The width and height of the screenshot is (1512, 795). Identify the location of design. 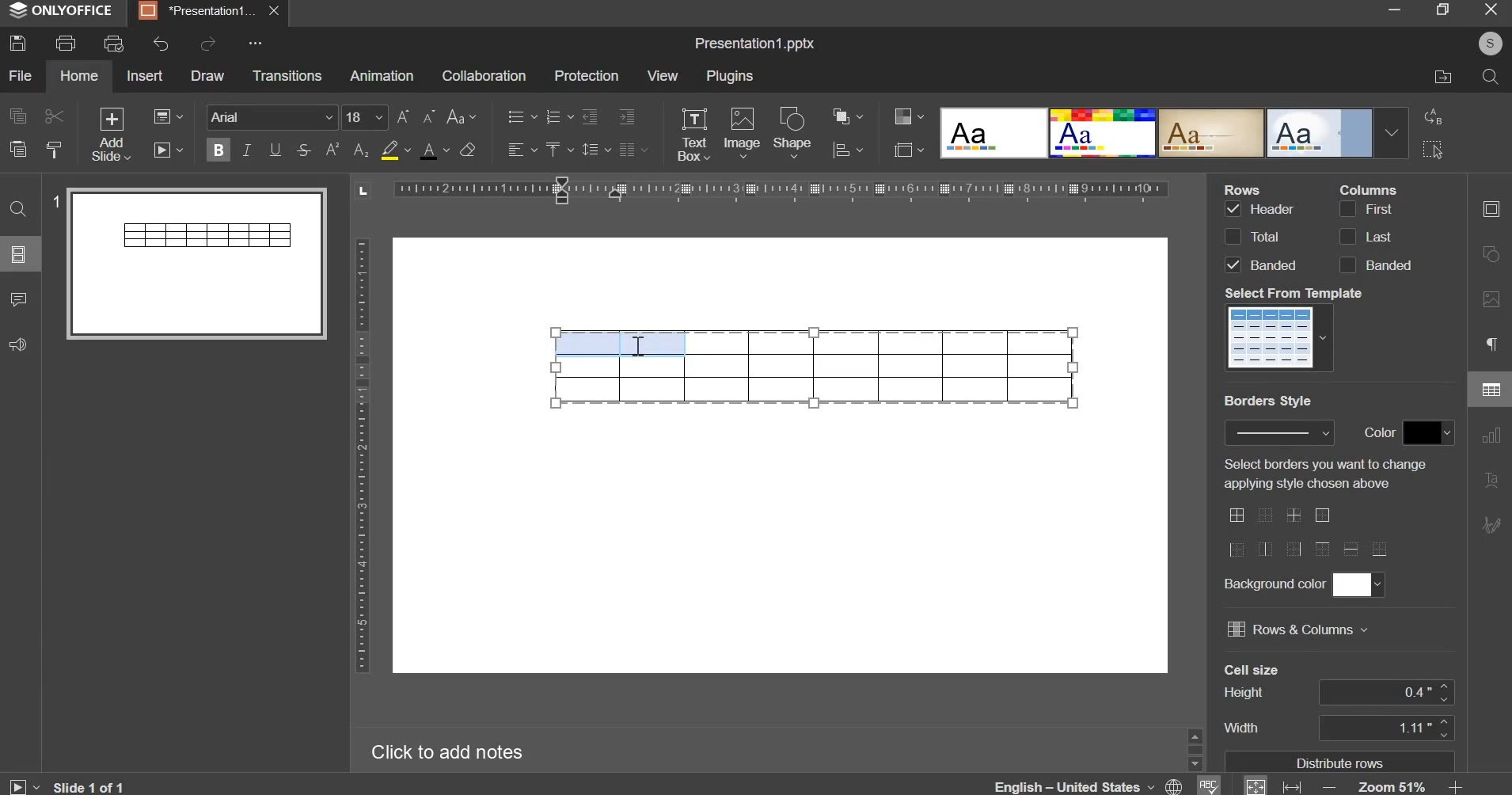
(1173, 131).